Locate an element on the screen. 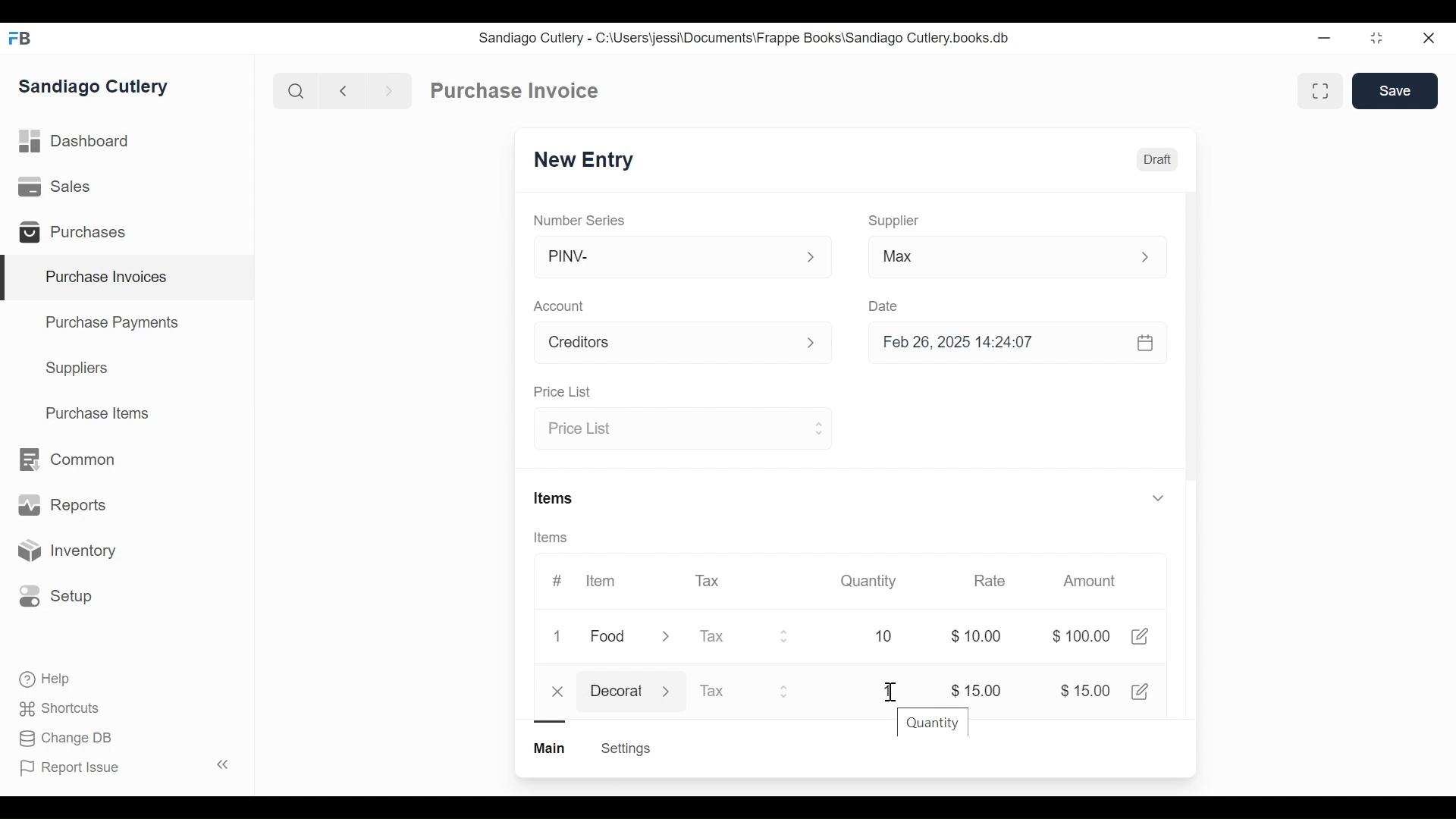 Image resolution: width=1456 pixels, height=819 pixels. $15.00 is located at coordinates (1085, 690).